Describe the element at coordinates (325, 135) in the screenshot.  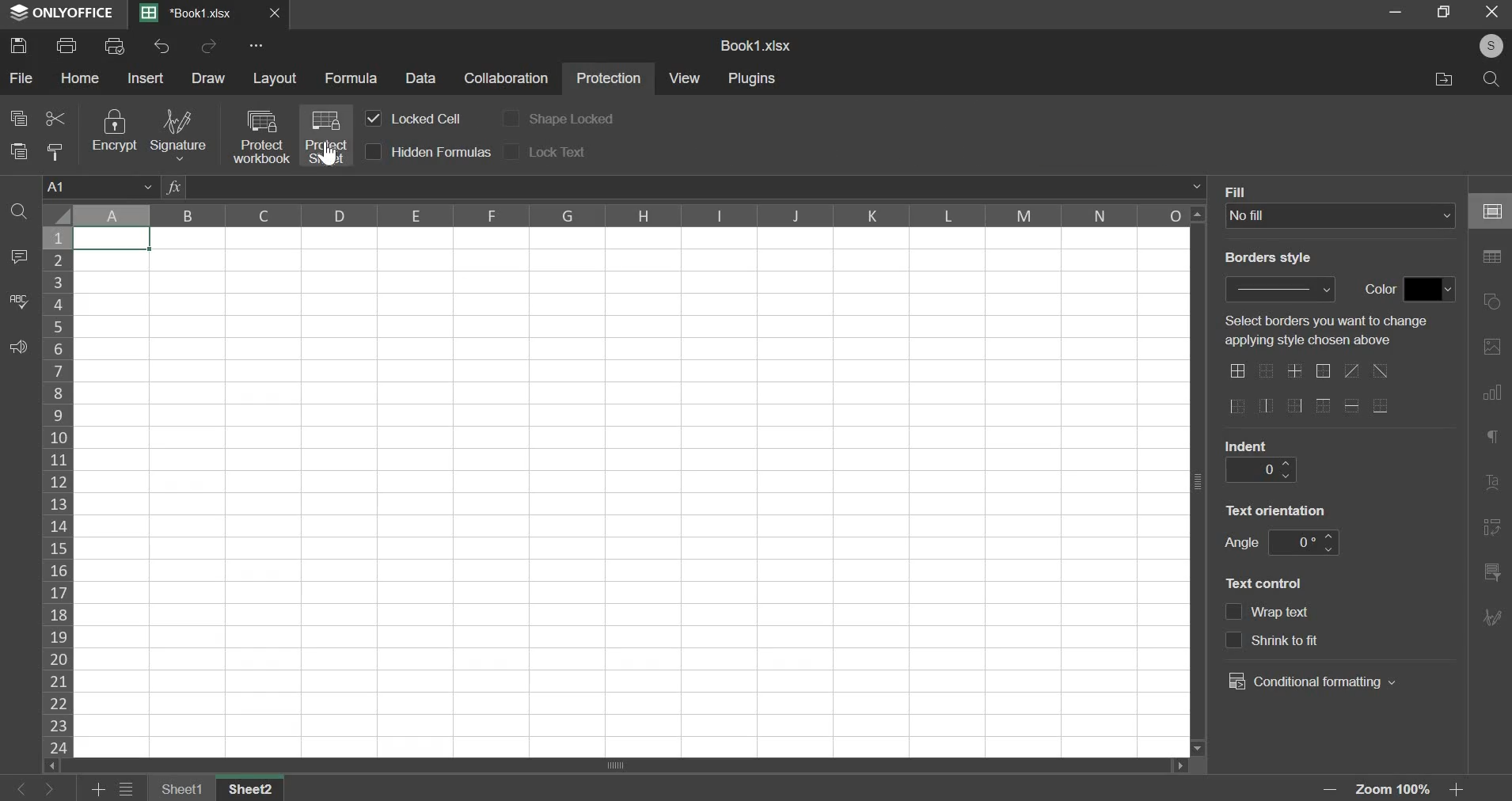
I see `protect sheet with cursor` at that location.